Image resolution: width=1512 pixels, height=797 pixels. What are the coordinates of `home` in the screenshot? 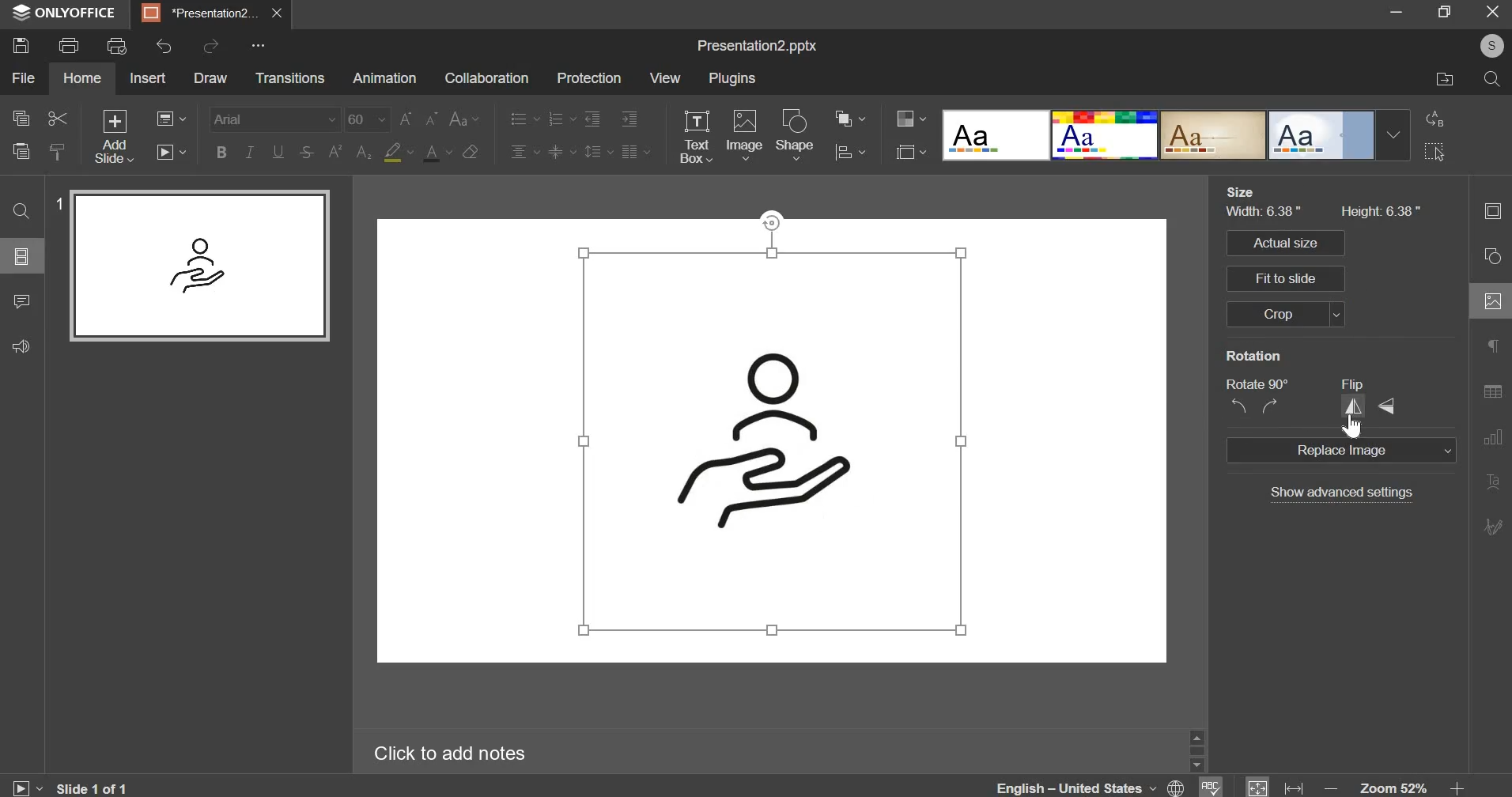 It's located at (81, 77).